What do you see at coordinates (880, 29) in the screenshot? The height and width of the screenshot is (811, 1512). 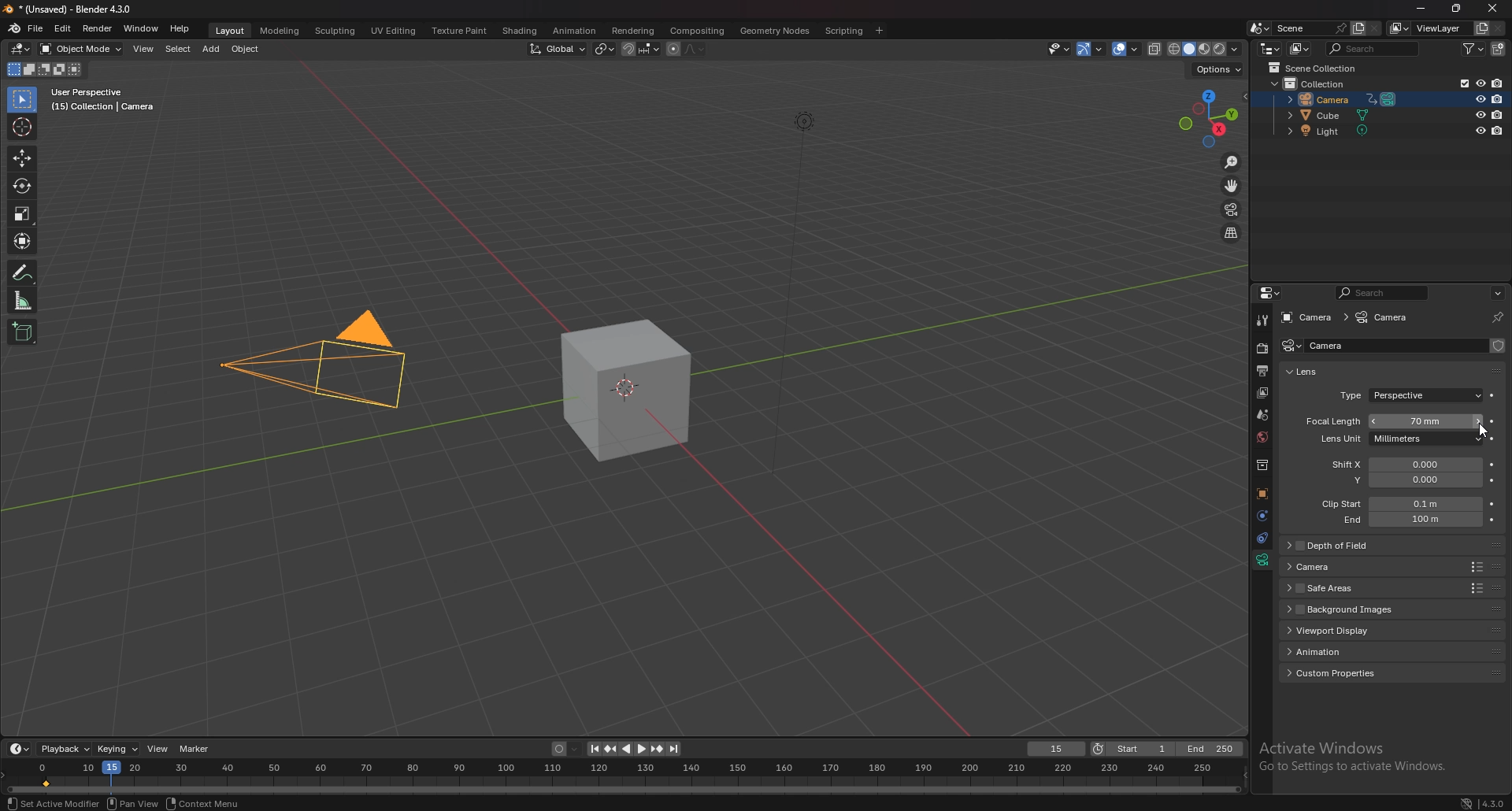 I see `add workspace` at bounding box center [880, 29].